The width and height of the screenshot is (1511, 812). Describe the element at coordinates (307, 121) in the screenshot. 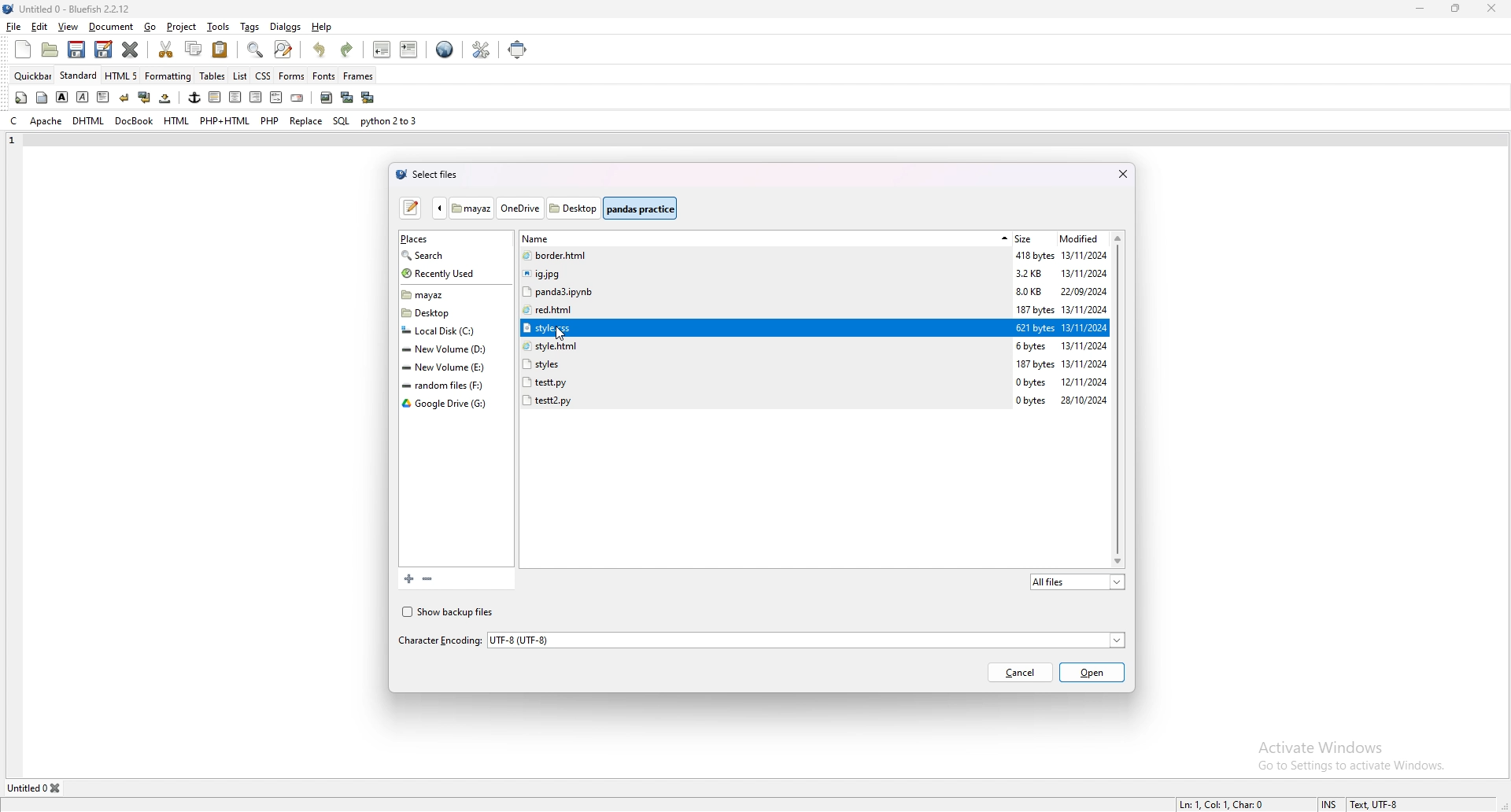

I see `replace` at that location.